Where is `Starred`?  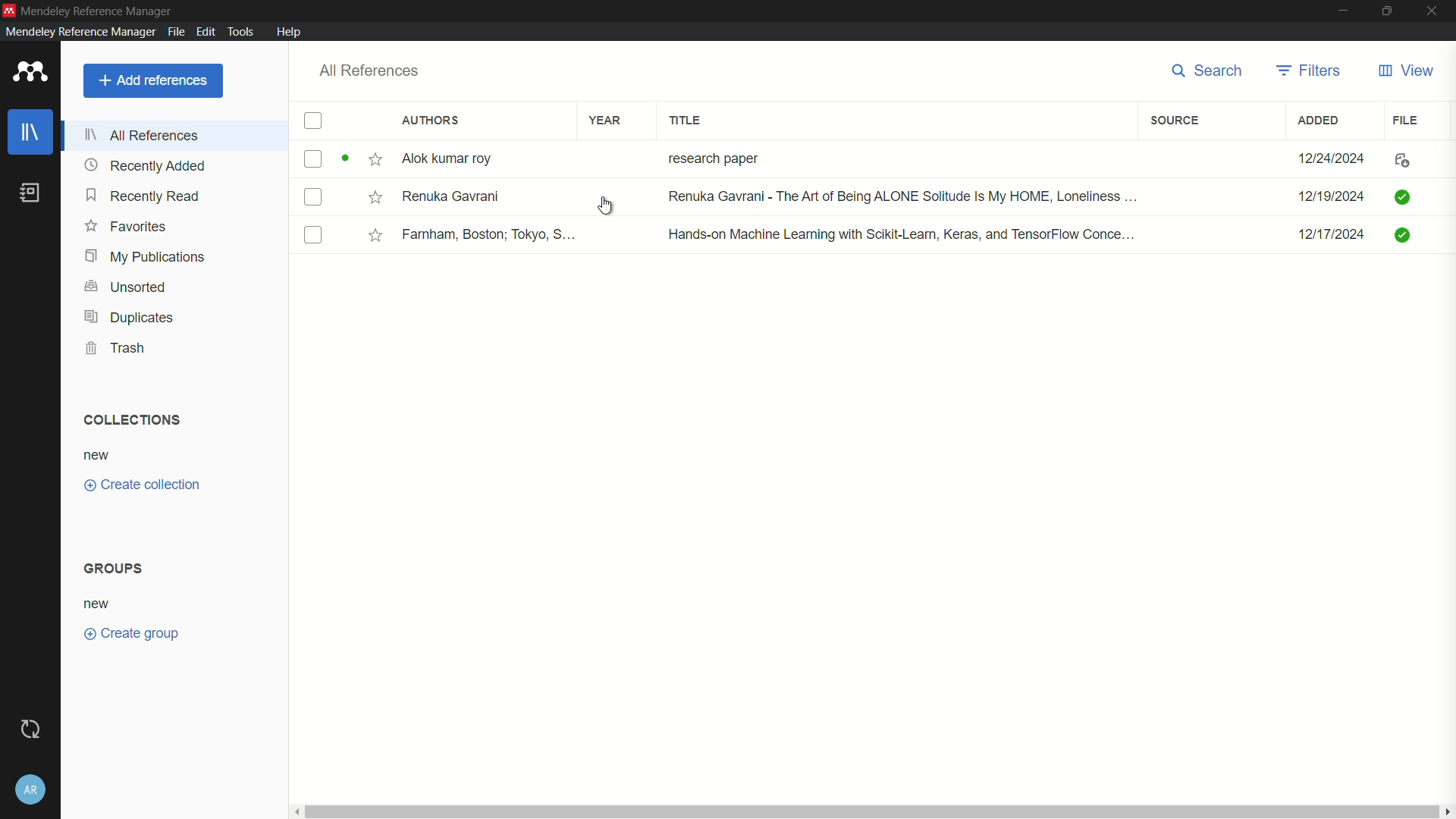
Starred is located at coordinates (372, 196).